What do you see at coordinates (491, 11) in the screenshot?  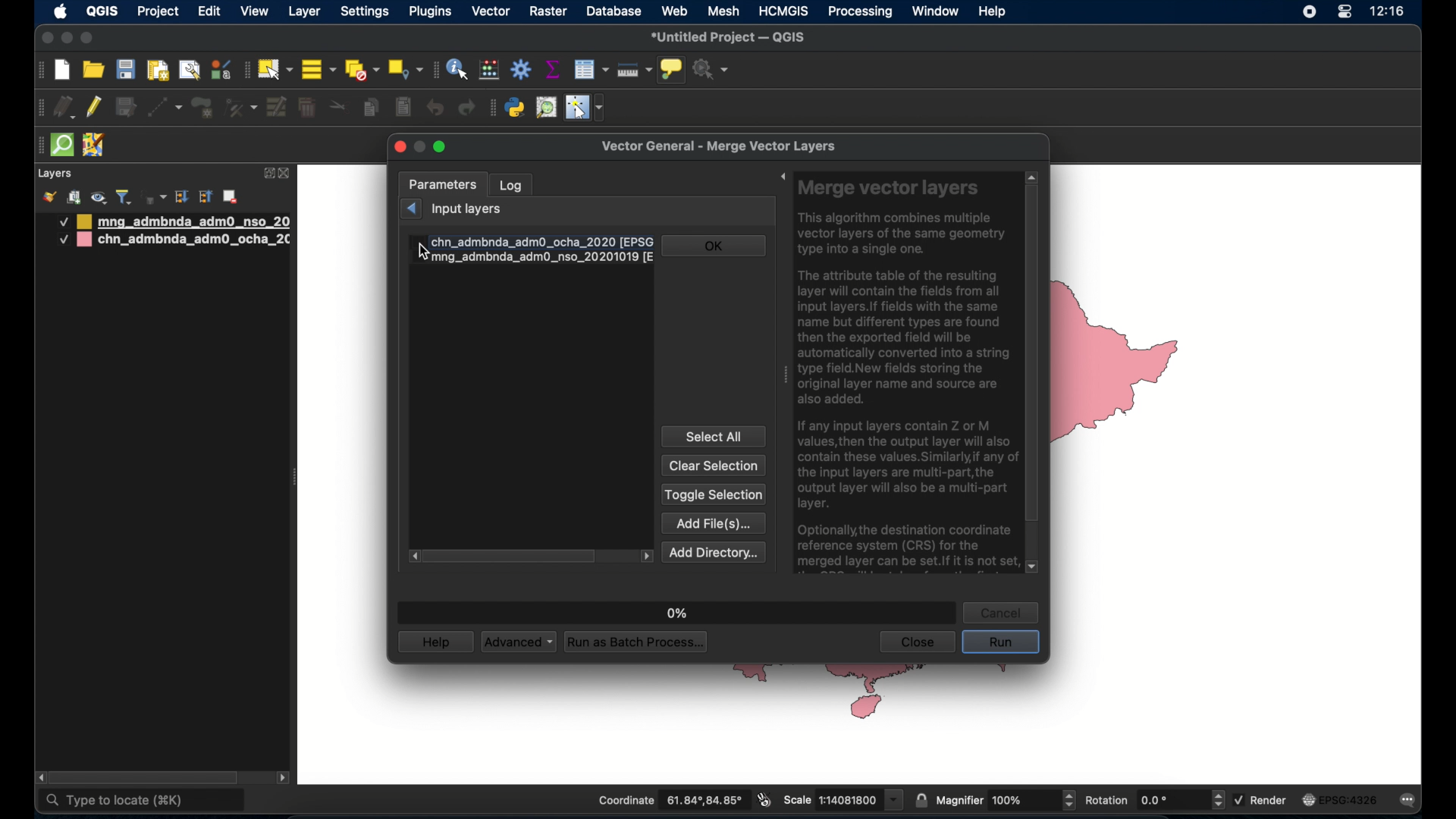 I see `vector` at bounding box center [491, 11].